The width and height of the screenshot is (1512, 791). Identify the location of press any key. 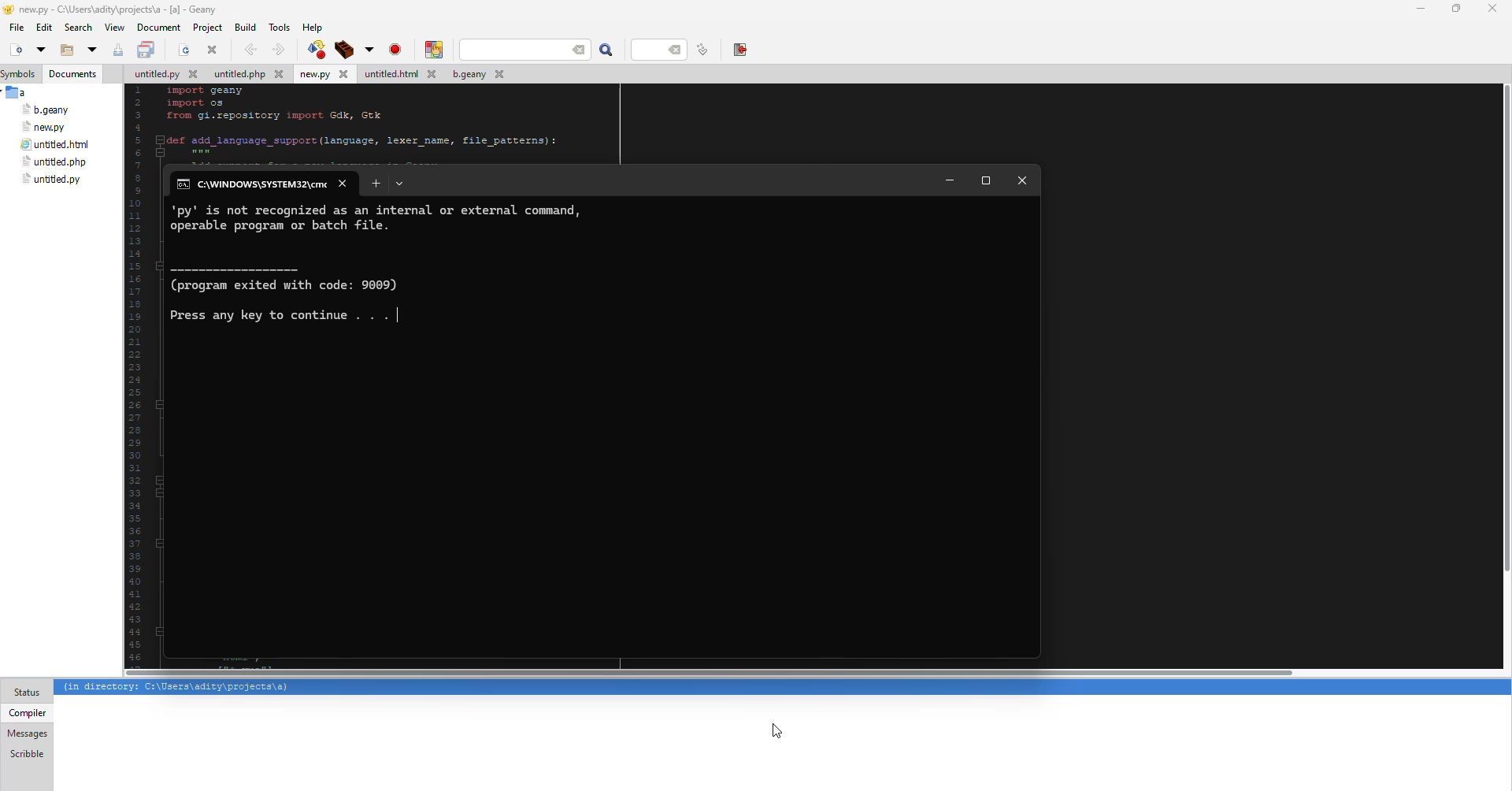
(294, 318).